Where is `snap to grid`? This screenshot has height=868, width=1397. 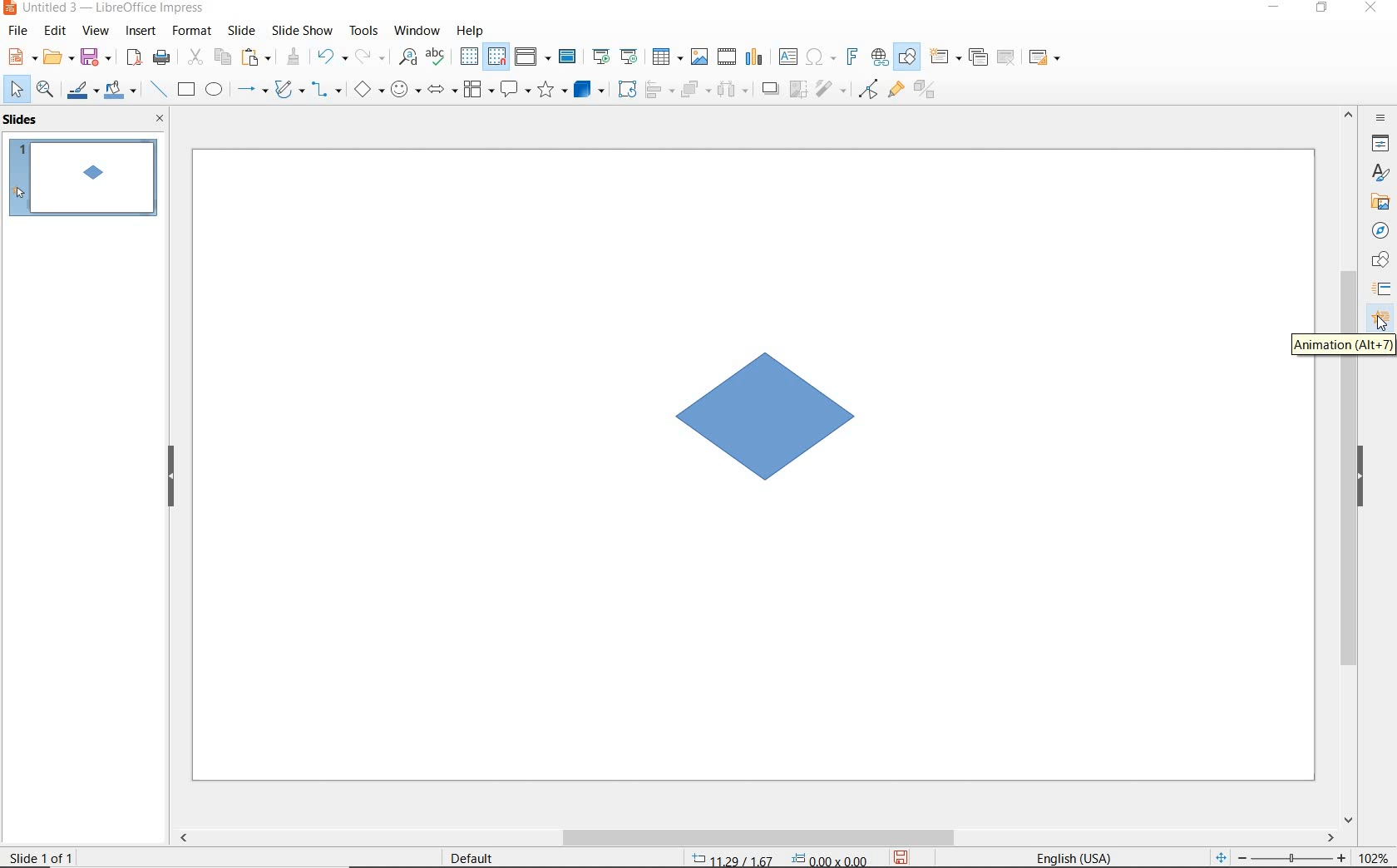
snap to grid is located at coordinates (497, 57).